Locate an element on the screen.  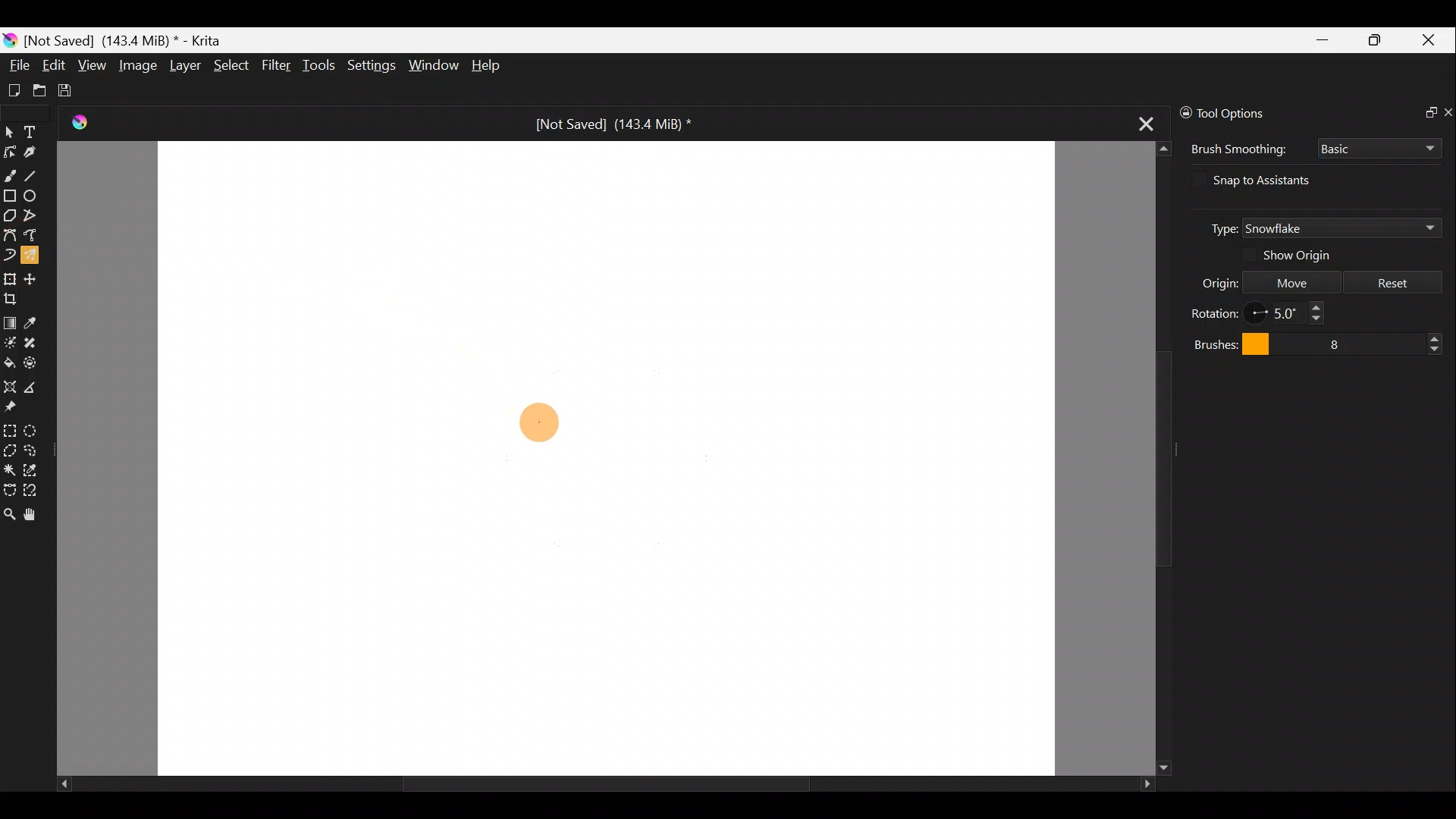
Elliptical selection tool is located at coordinates (35, 428).